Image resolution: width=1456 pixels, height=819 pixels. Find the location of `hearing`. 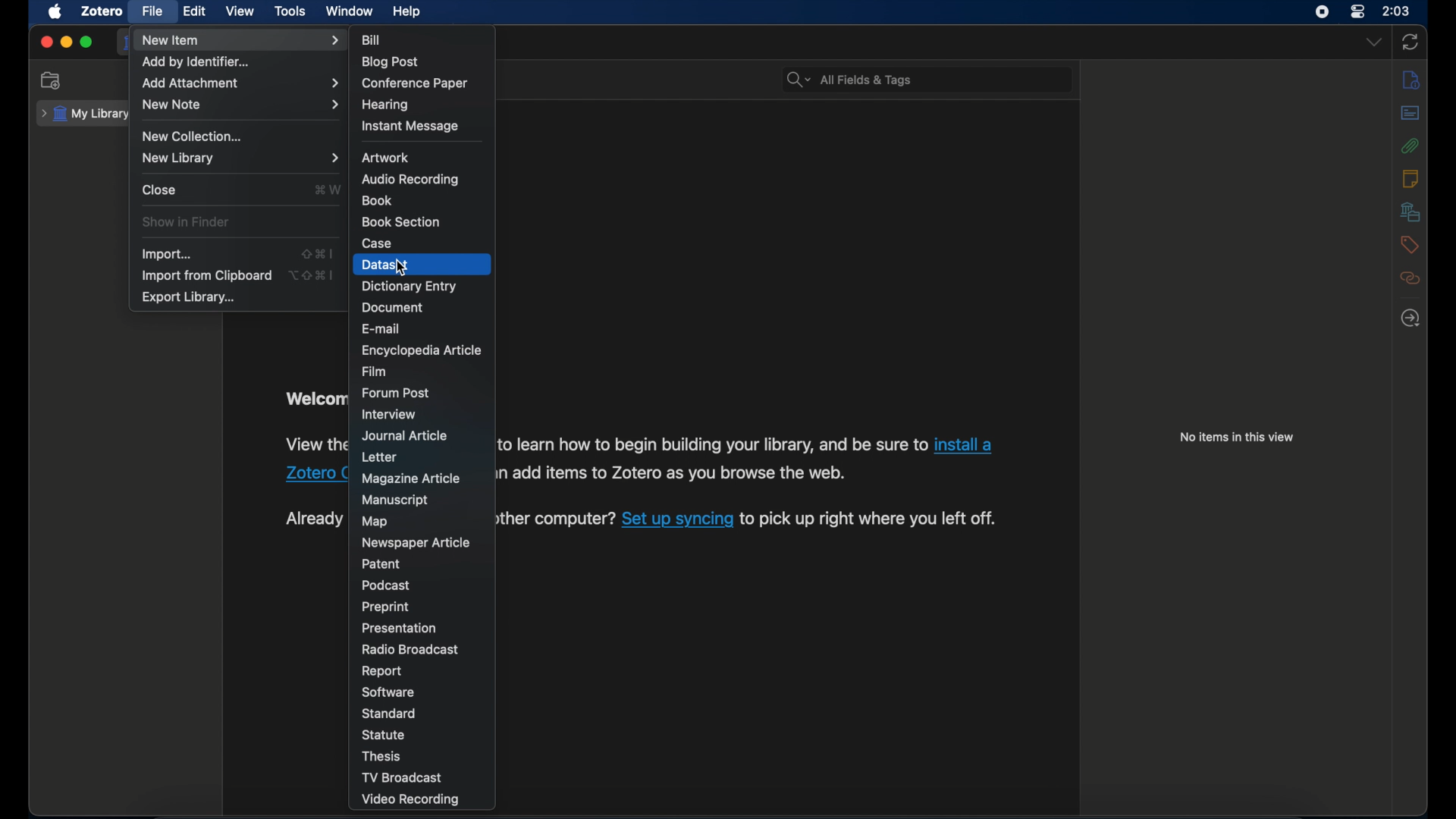

hearing is located at coordinates (387, 106).